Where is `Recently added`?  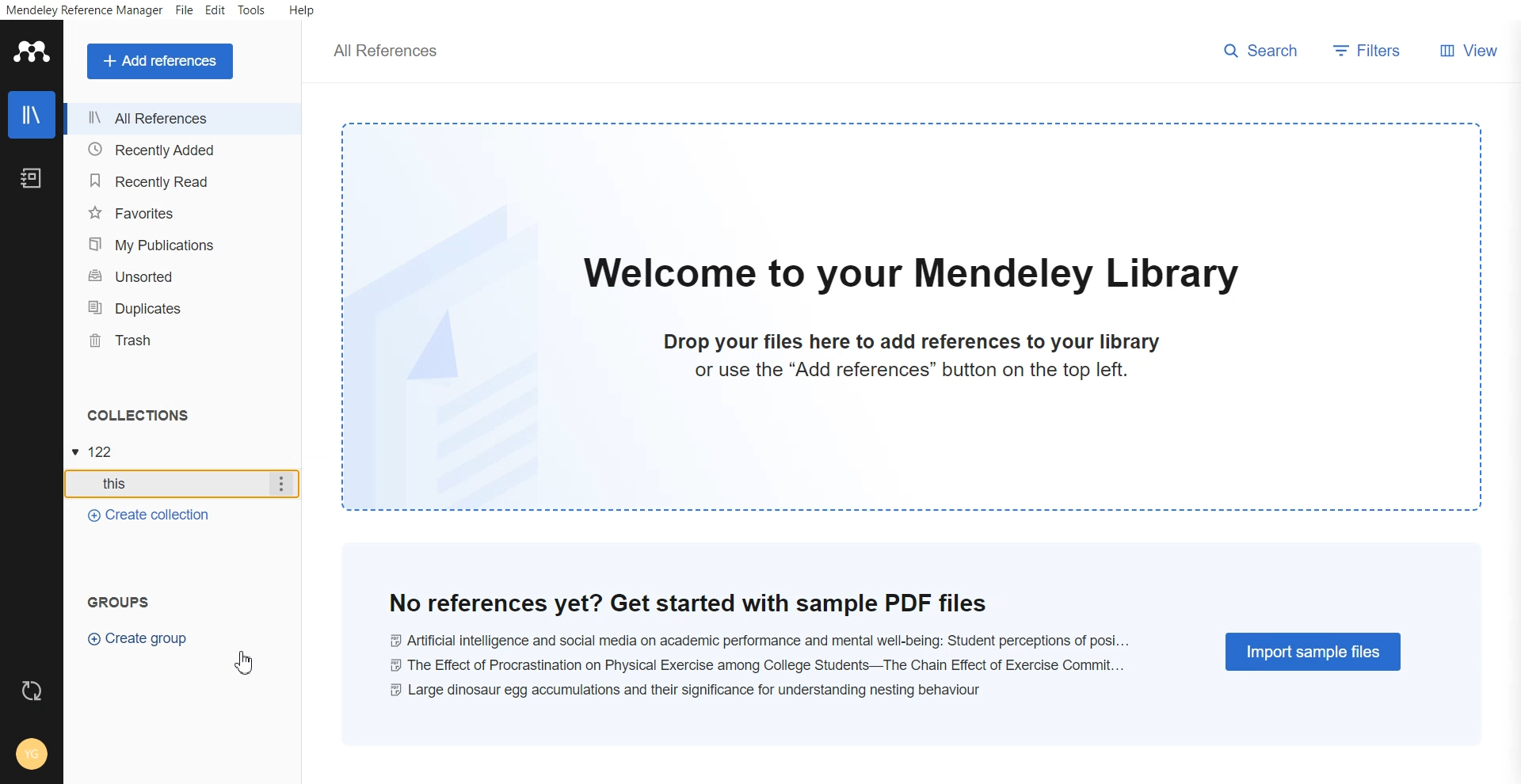
Recently added is located at coordinates (182, 149).